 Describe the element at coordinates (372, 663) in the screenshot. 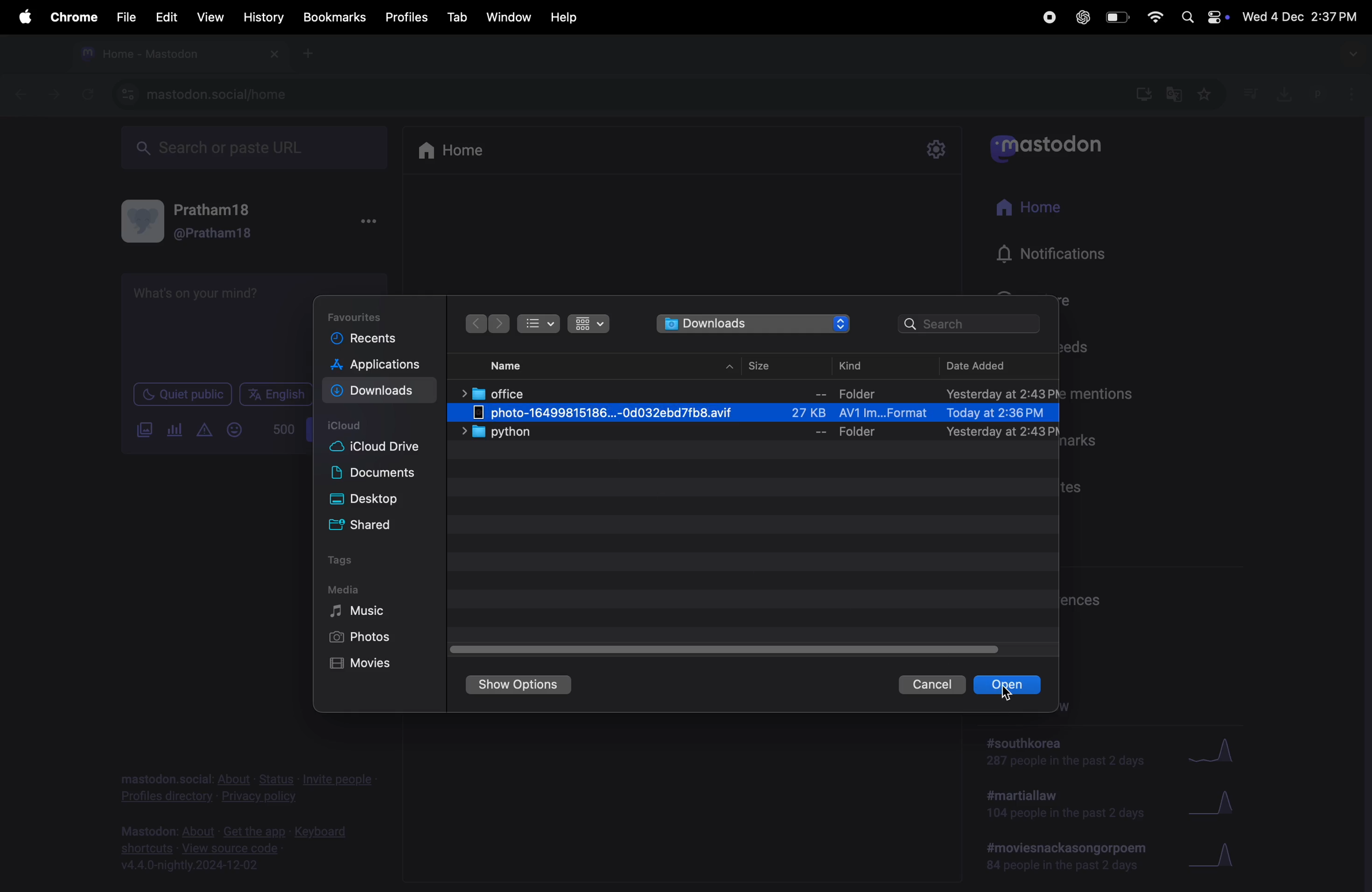

I see `movies` at that location.